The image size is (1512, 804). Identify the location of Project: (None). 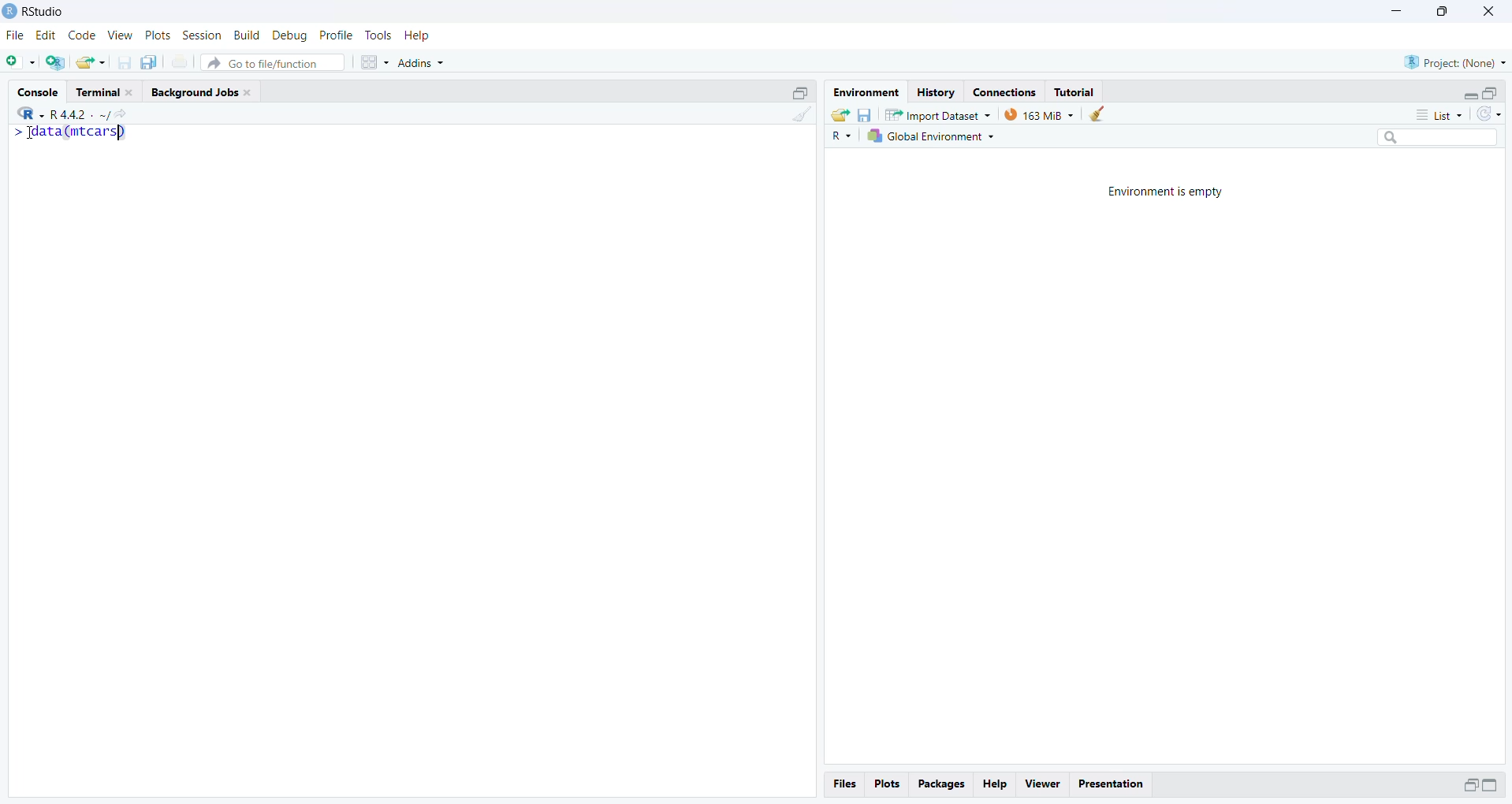
(1455, 62).